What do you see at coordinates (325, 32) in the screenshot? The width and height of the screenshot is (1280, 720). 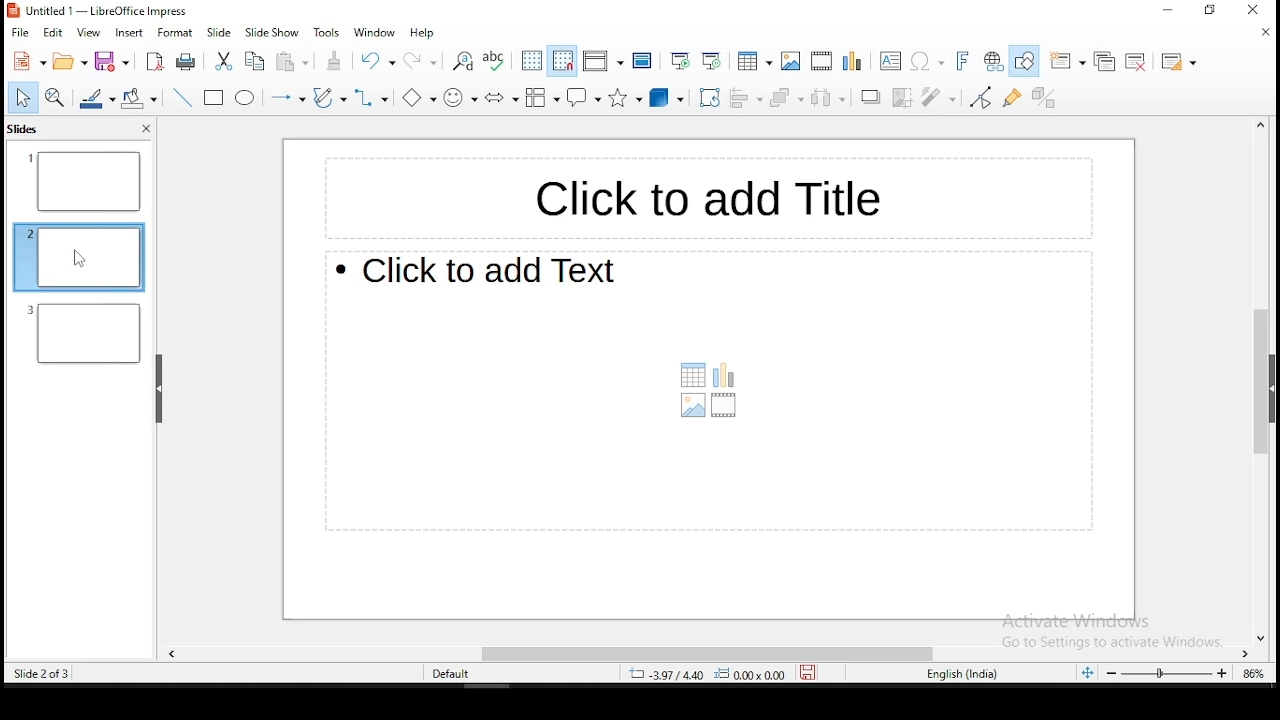 I see `tools` at bounding box center [325, 32].